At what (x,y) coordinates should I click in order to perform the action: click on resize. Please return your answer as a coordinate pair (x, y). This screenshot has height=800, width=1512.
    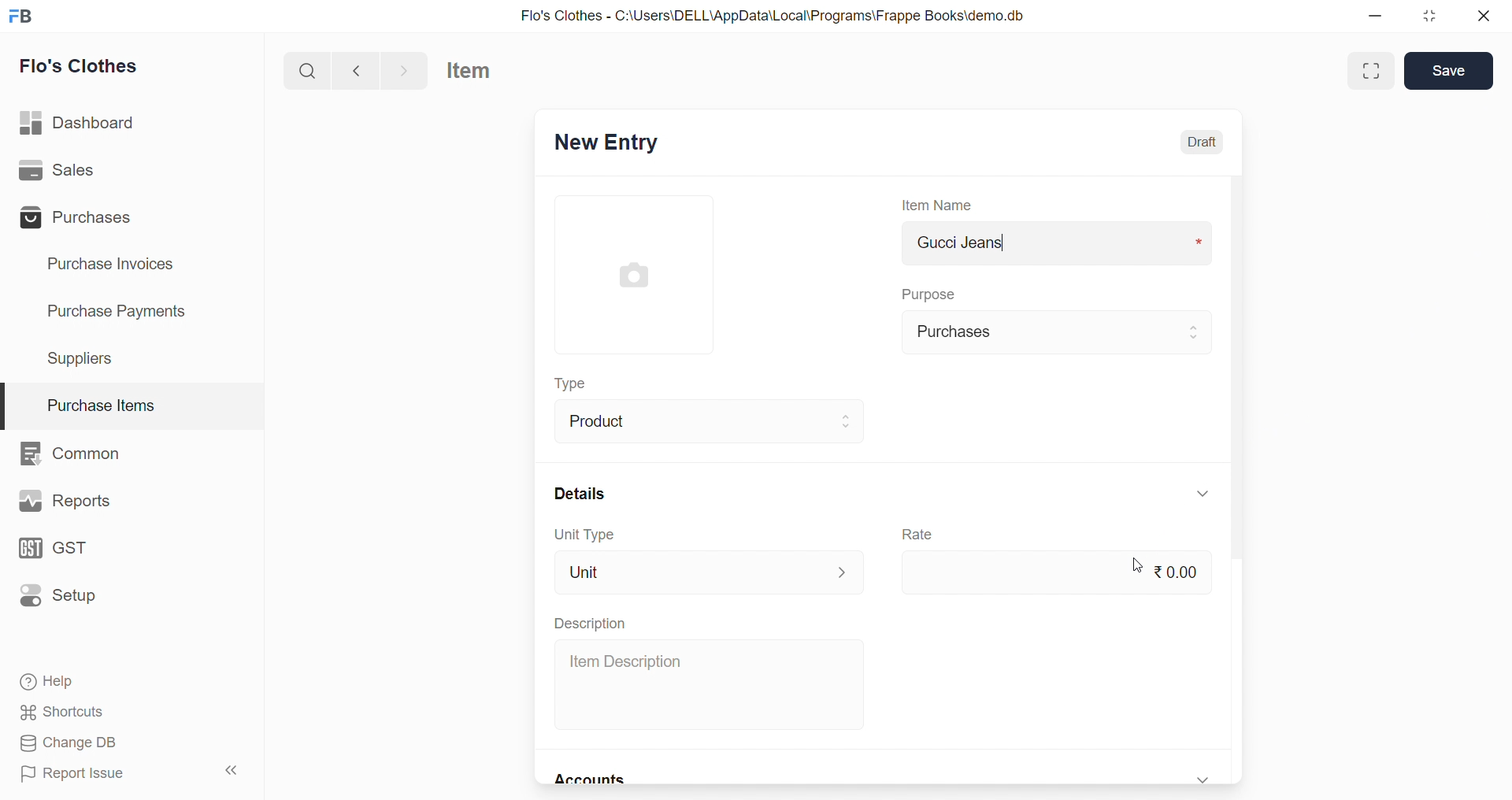
    Looking at the image, I should click on (1430, 16).